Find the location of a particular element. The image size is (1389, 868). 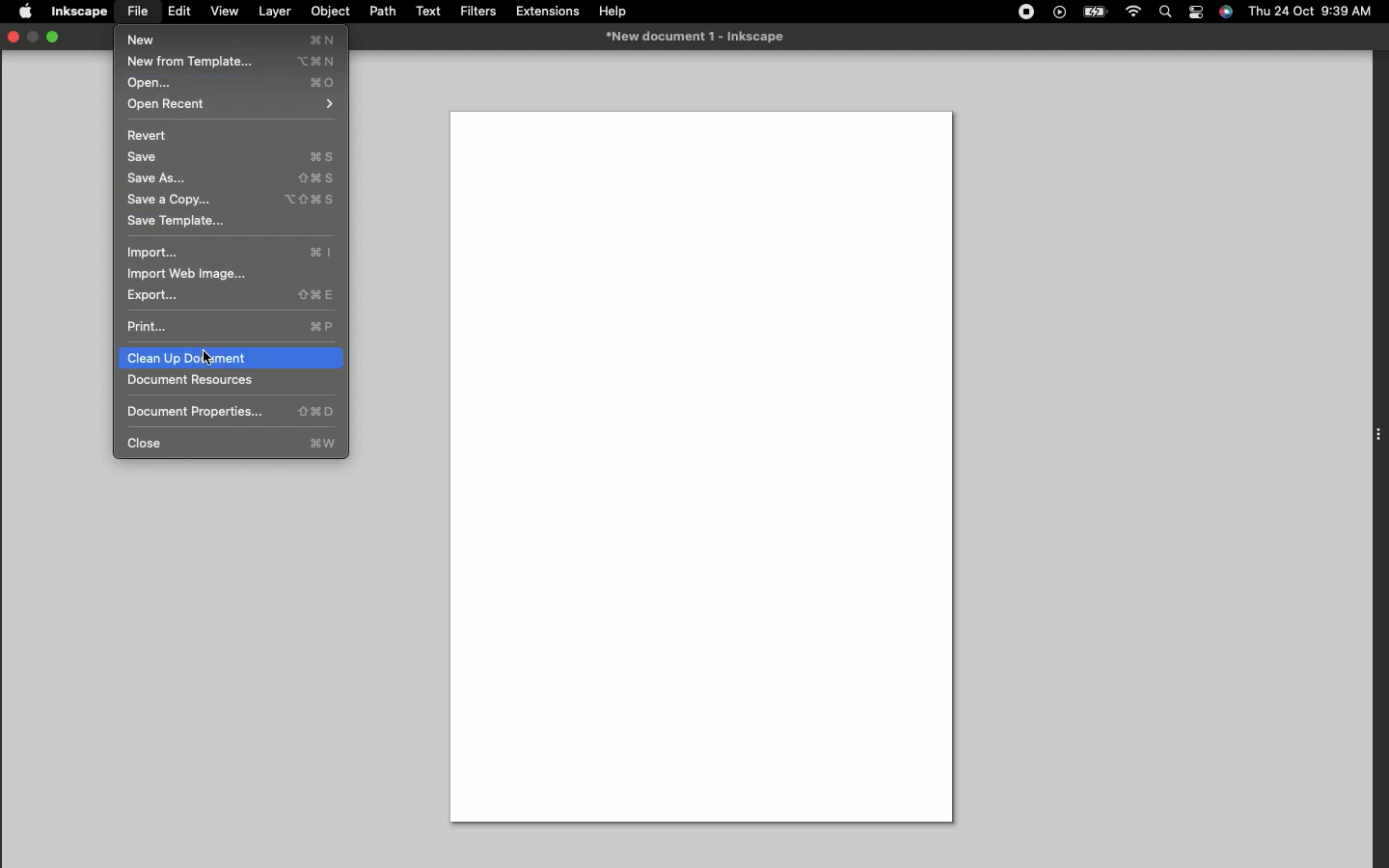

Extensions is located at coordinates (547, 11).